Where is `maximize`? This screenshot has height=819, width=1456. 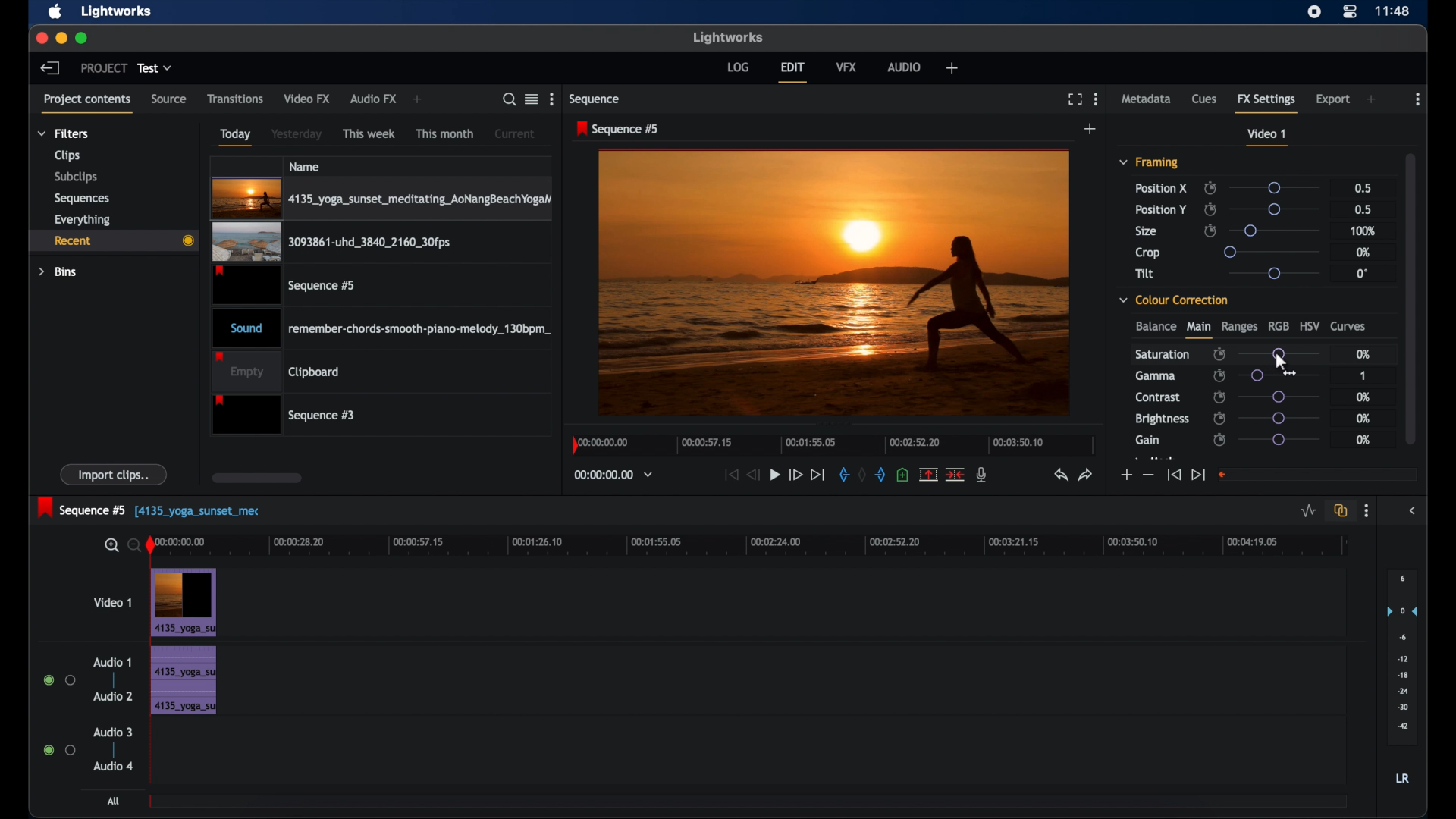 maximize is located at coordinates (82, 38).